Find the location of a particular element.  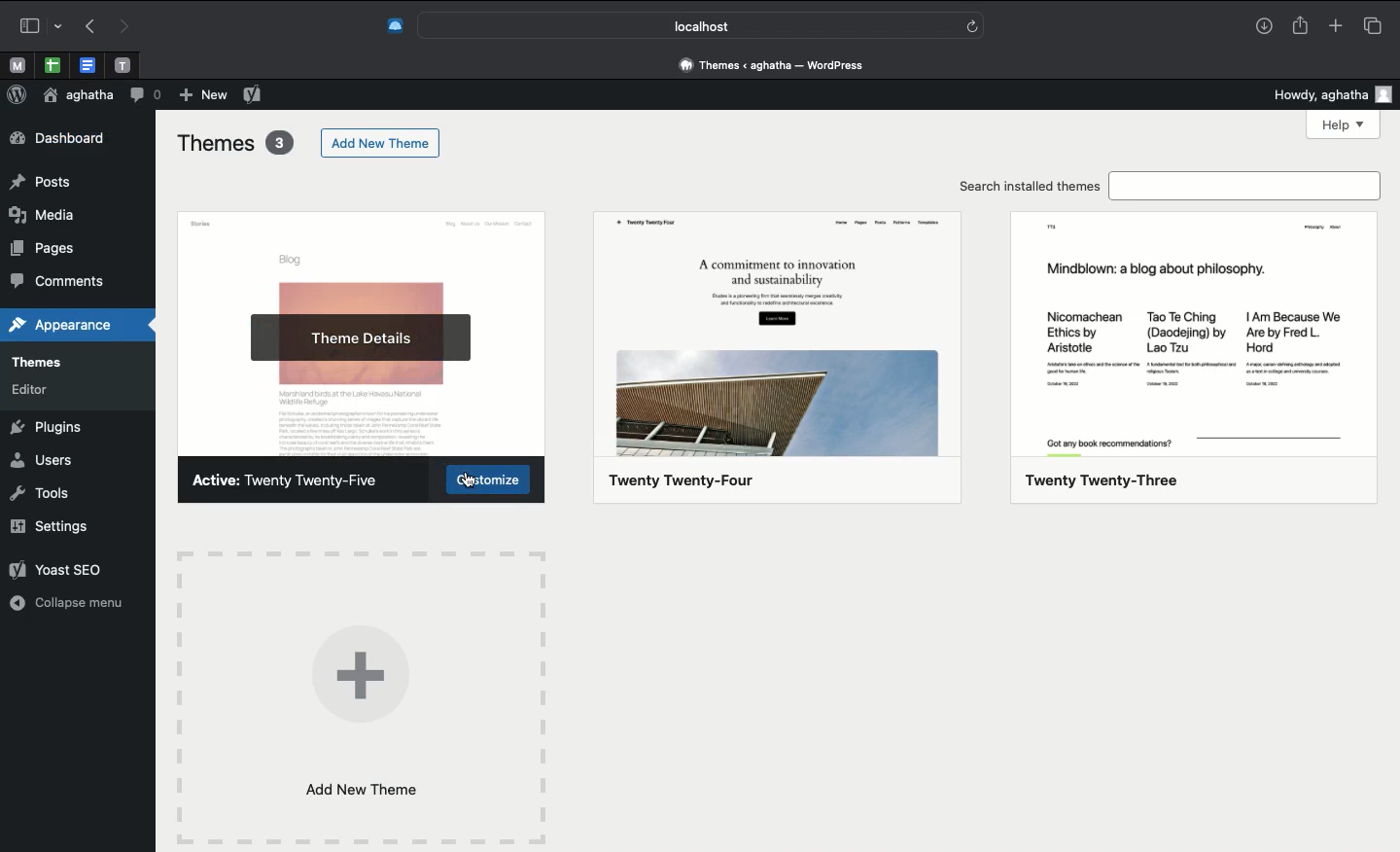

Add new theme is located at coordinates (358, 696).